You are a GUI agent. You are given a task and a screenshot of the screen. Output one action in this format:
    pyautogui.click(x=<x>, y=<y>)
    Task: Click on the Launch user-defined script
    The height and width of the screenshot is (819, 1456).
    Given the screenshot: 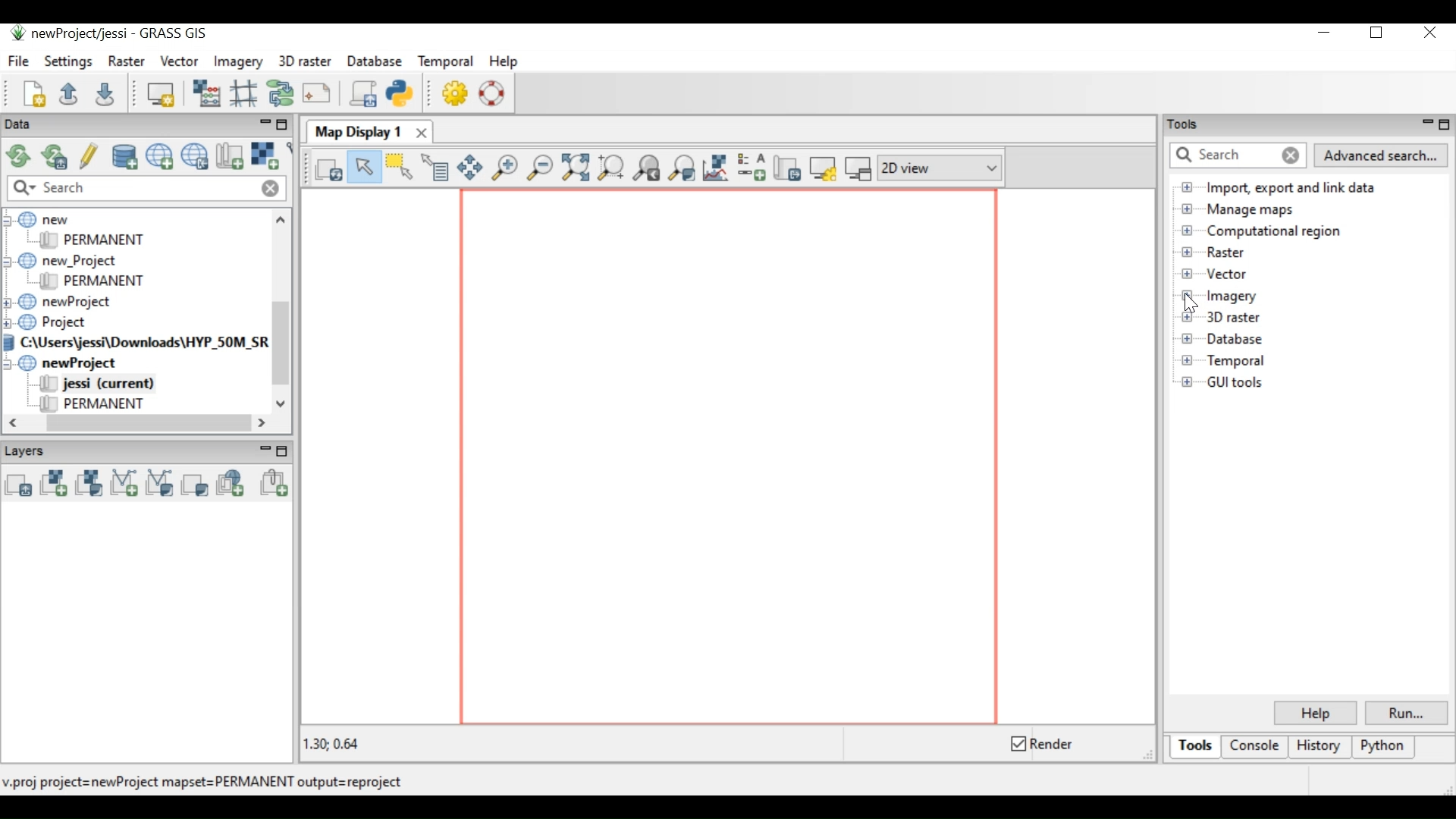 What is the action you would take?
    pyautogui.click(x=361, y=93)
    